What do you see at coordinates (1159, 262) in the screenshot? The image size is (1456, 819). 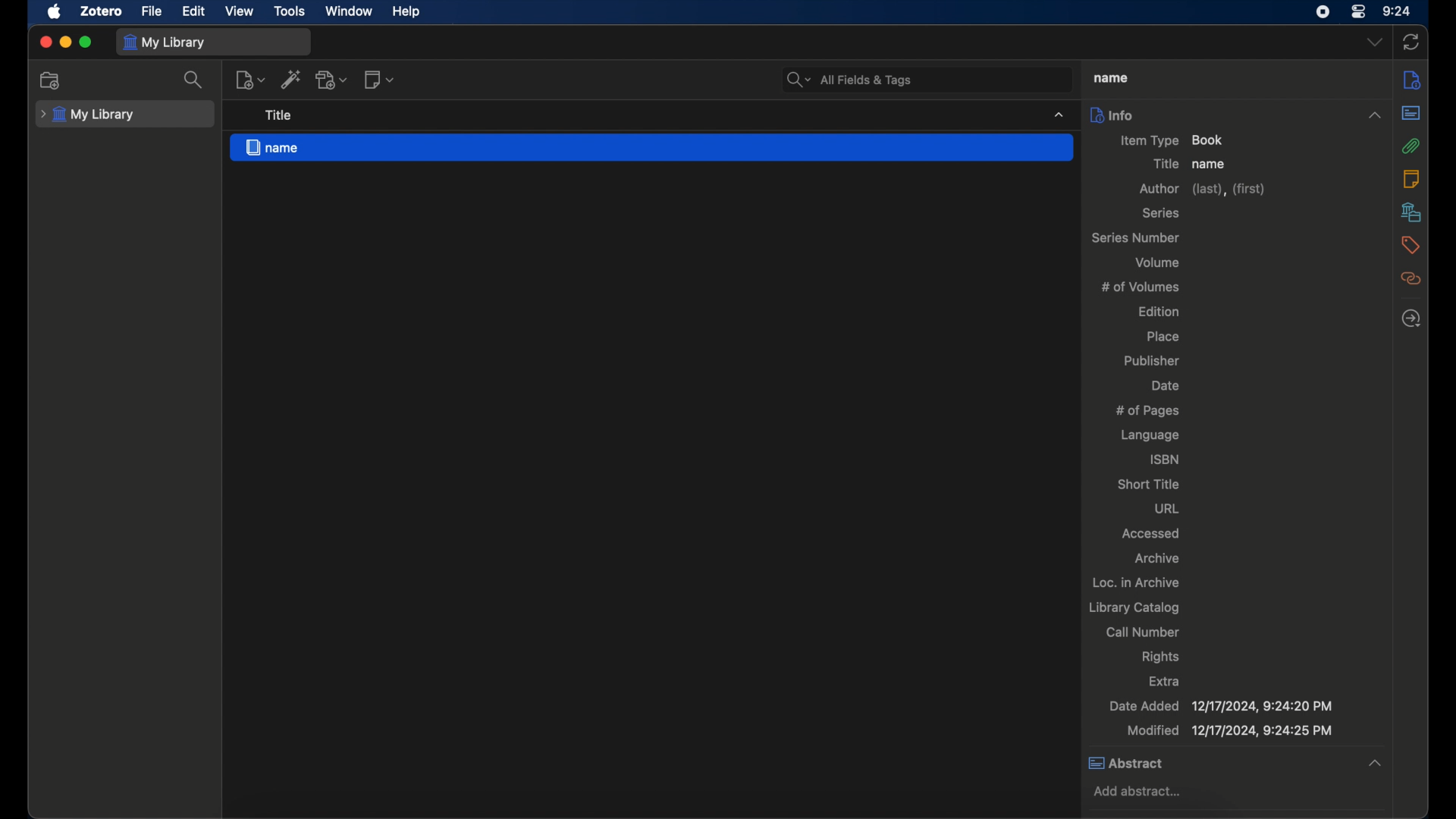 I see `volume` at bounding box center [1159, 262].